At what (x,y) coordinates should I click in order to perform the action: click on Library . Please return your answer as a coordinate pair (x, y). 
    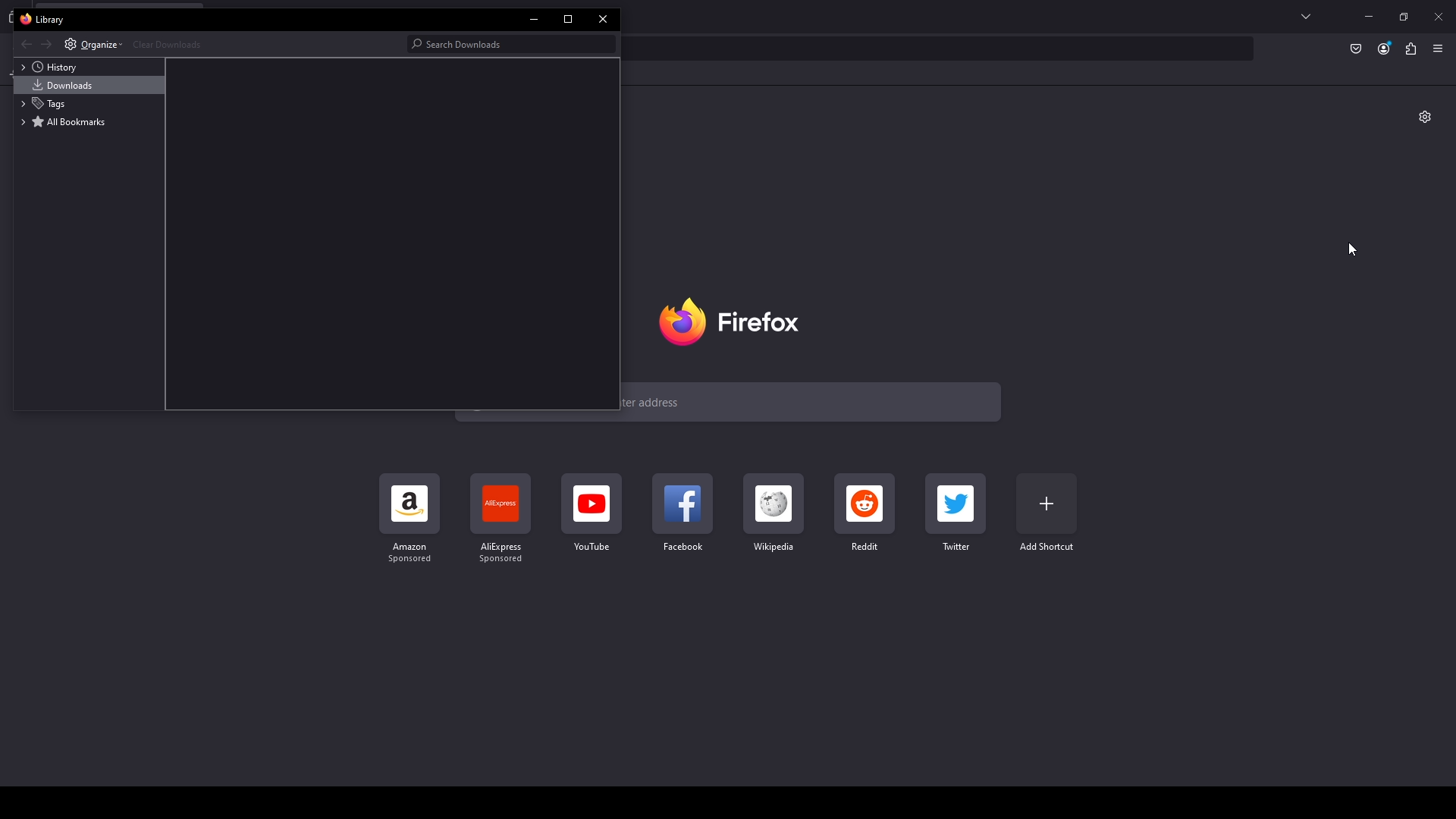
    Looking at the image, I should click on (47, 20).